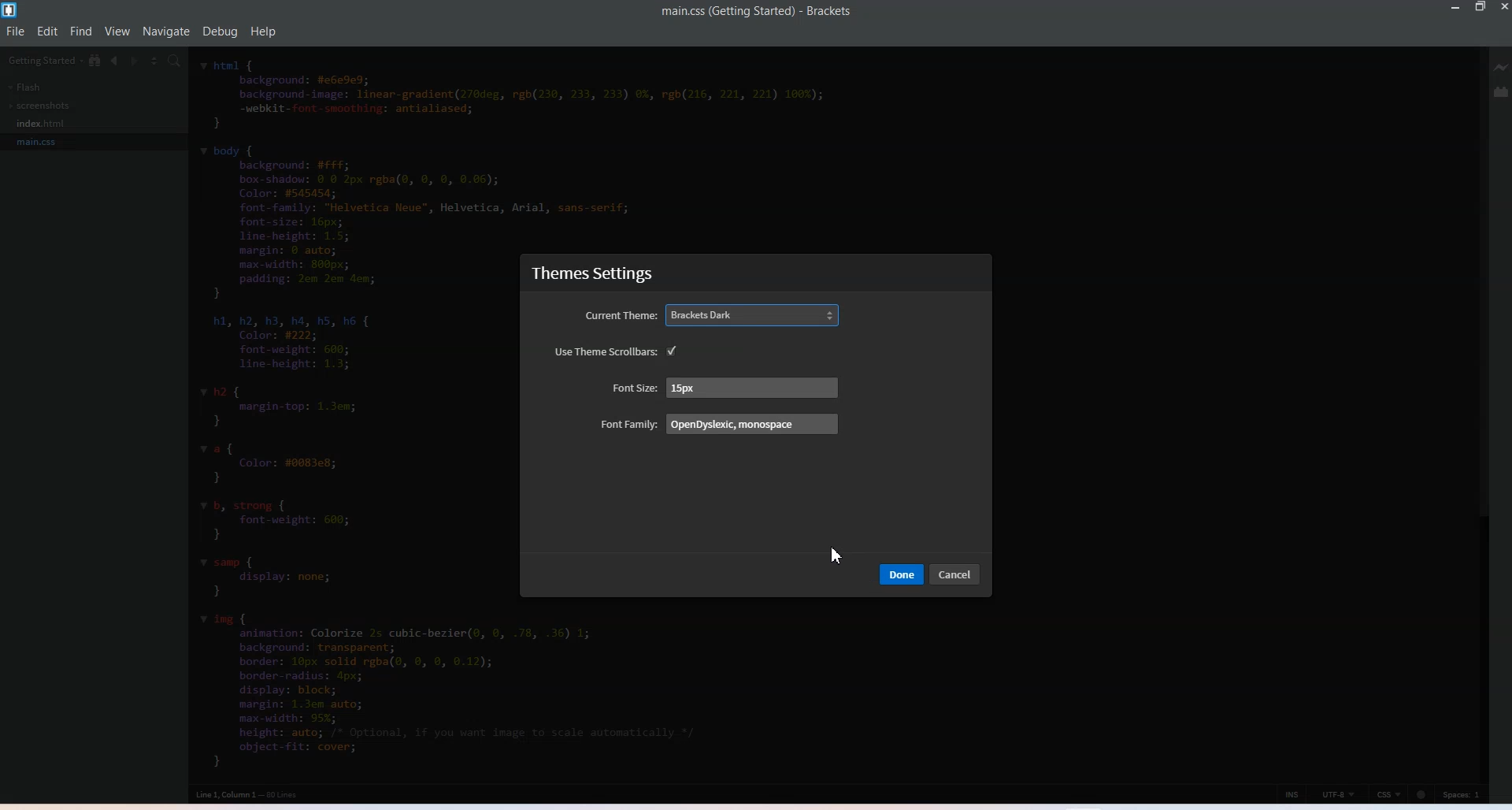  What do you see at coordinates (48, 32) in the screenshot?
I see `Edit` at bounding box center [48, 32].